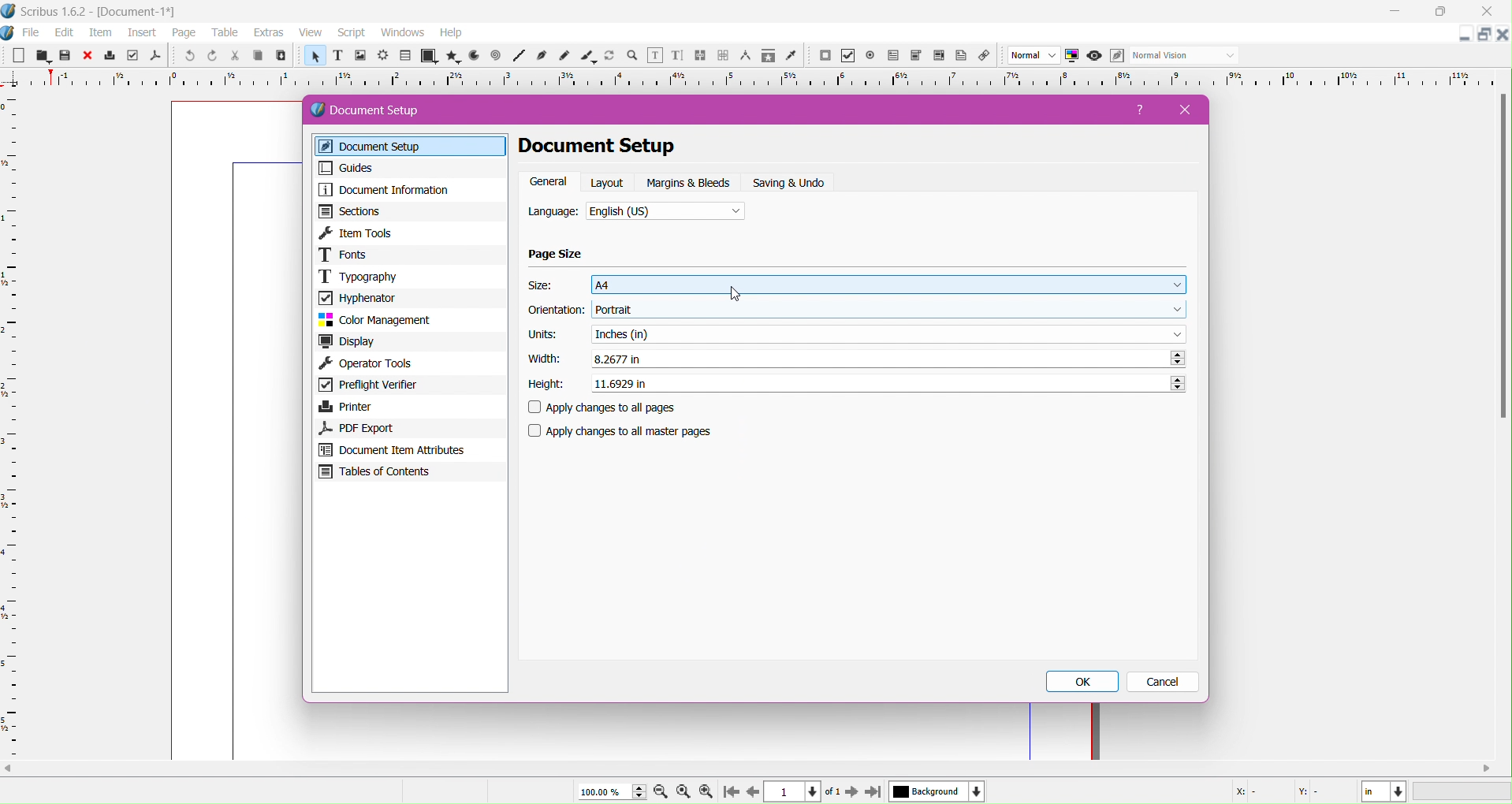 The height and width of the screenshot is (804, 1512). I want to click on edit preview mode, so click(1116, 56).